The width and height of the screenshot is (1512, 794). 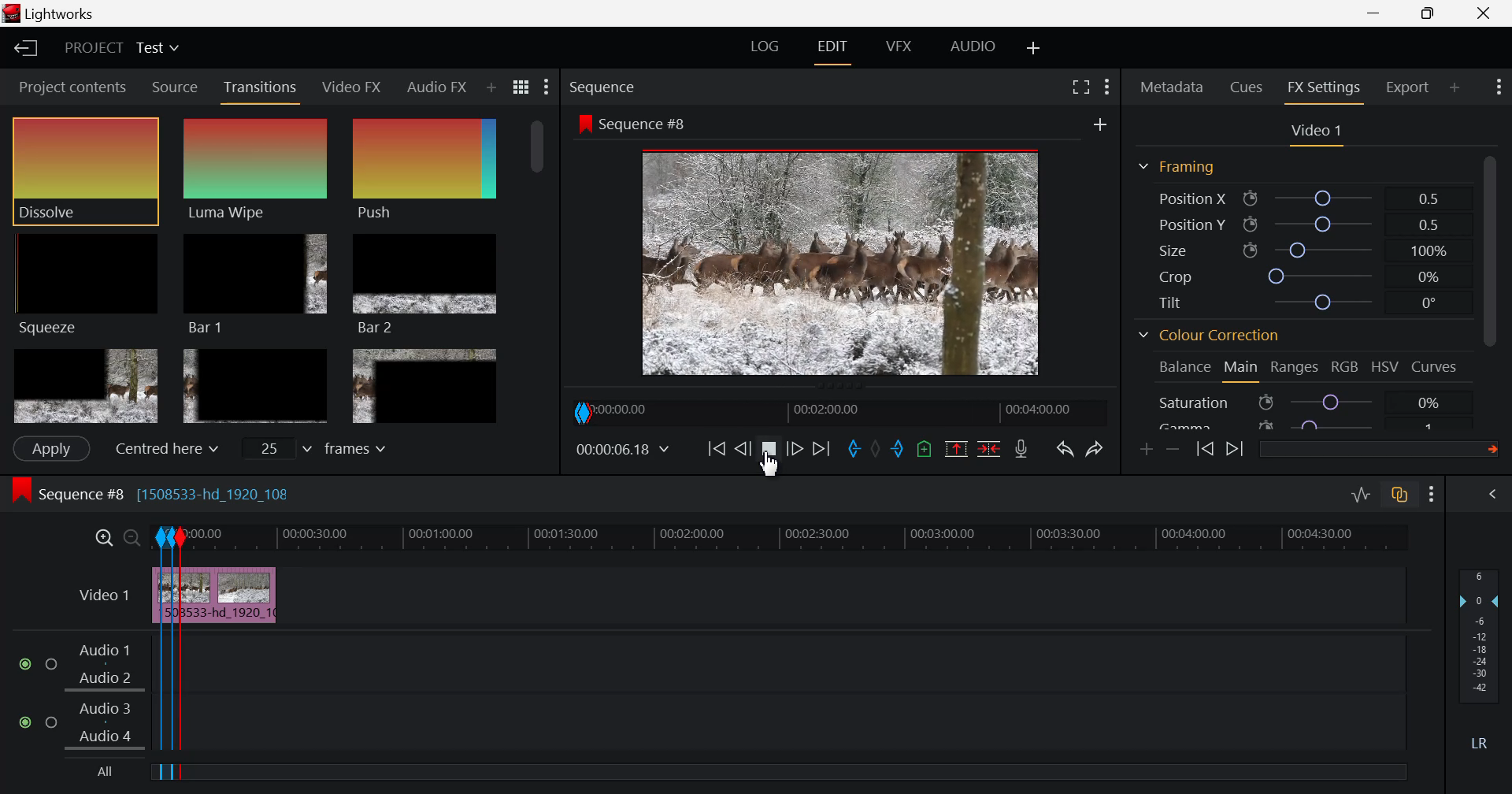 What do you see at coordinates (105, 538) in the screenshot?
I see `Timeline Zoom In` at bounding box center [105, 538].